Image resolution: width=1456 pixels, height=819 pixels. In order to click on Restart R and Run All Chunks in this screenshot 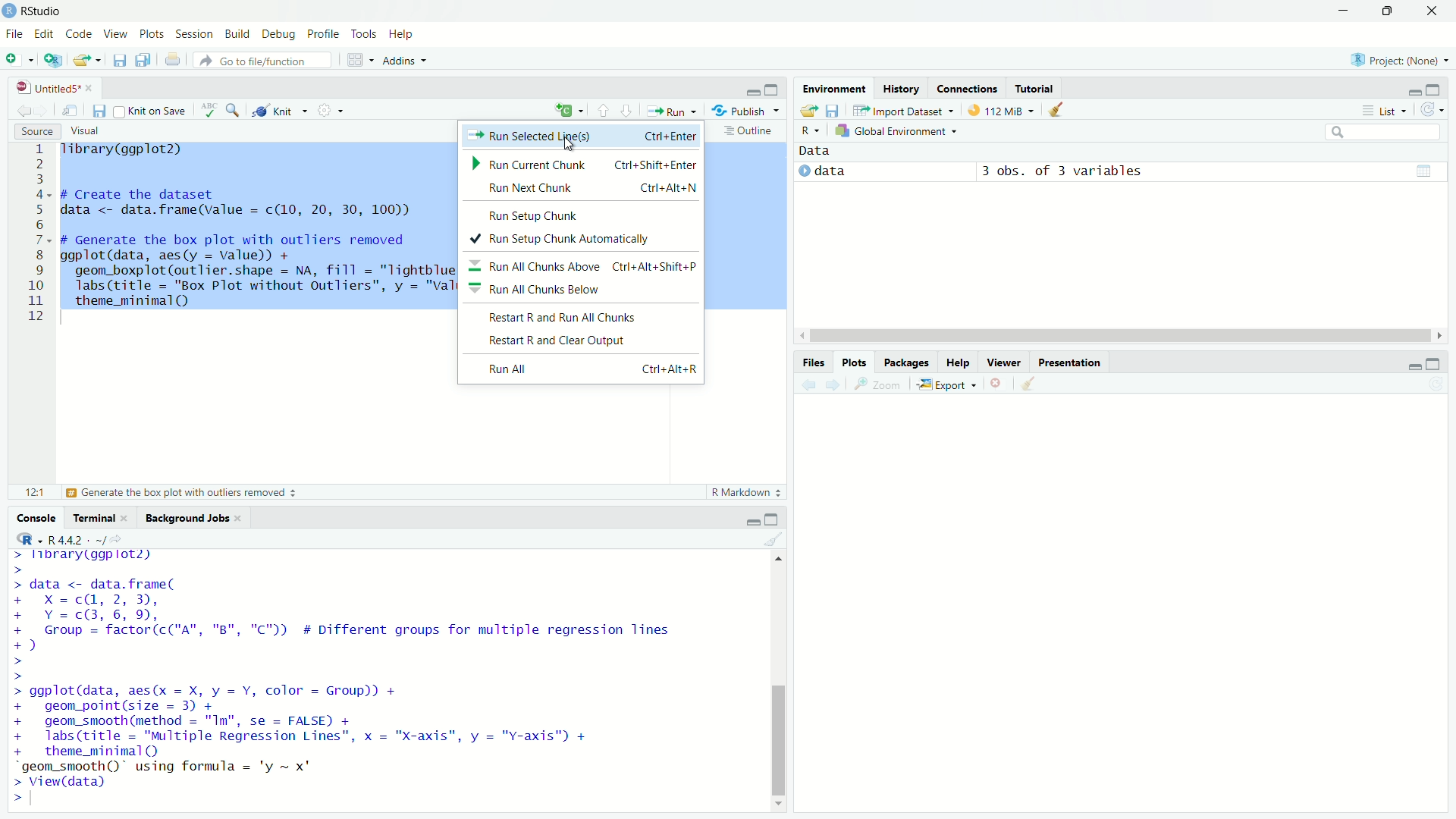, I will do `click(570, 316)`.